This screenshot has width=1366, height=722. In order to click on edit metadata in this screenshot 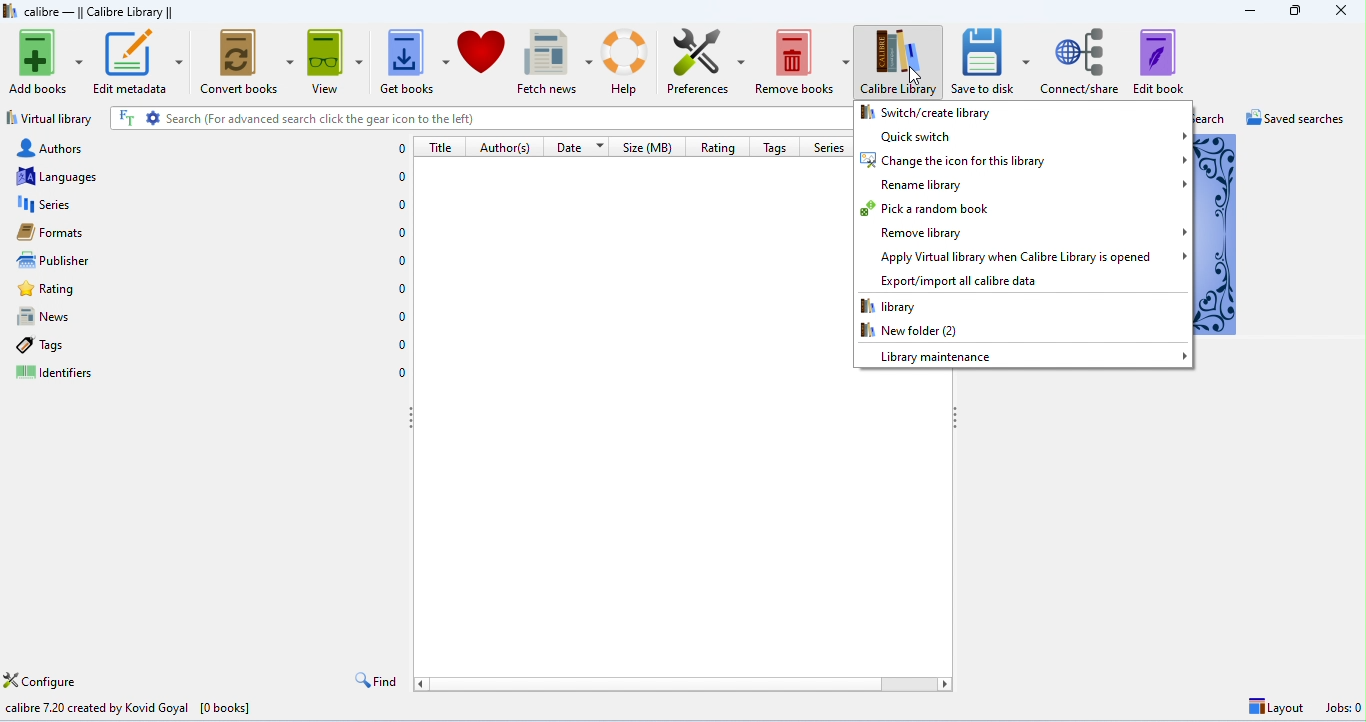, I will do `click(138, 63)`.